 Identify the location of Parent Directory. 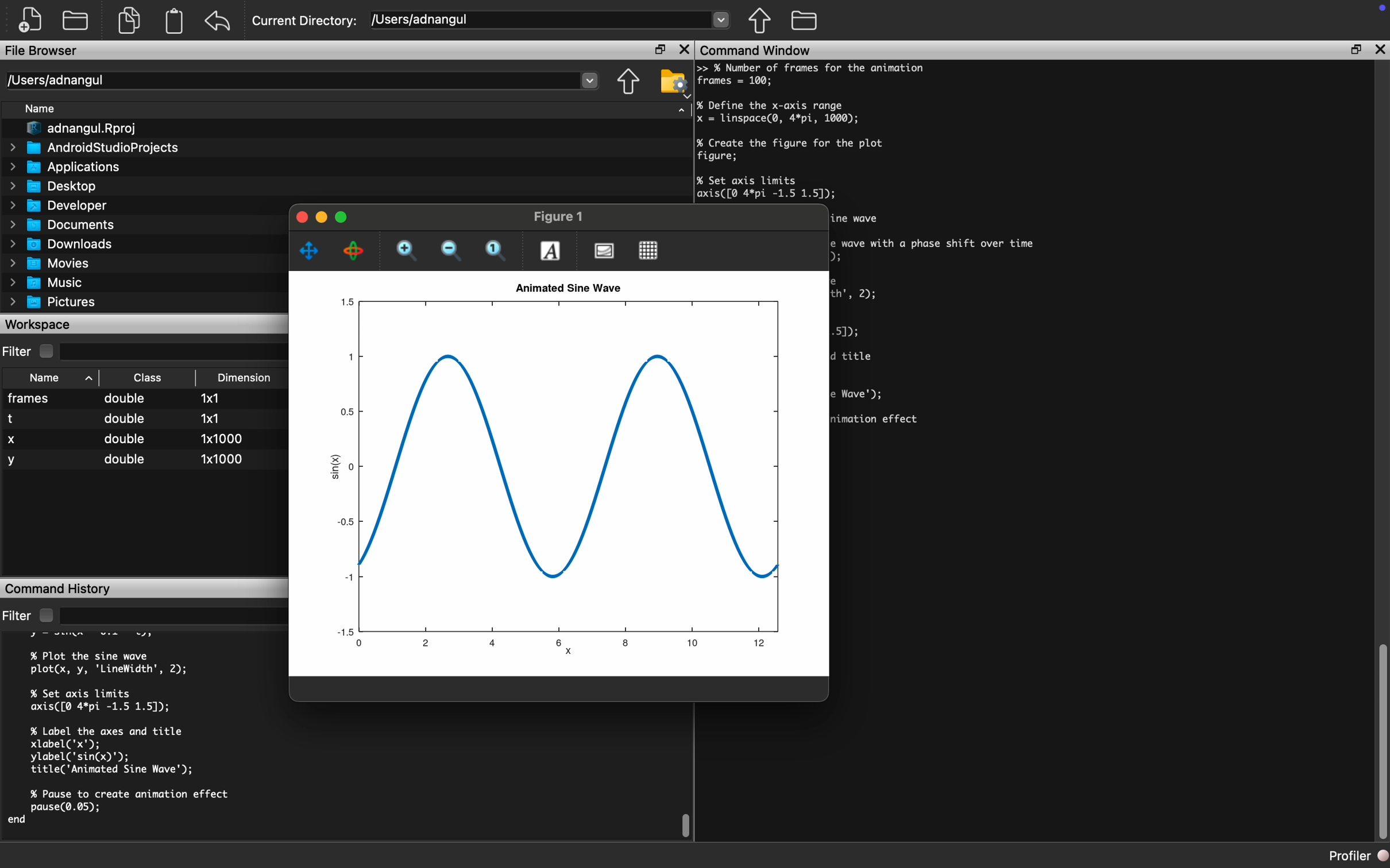
(628, 83).